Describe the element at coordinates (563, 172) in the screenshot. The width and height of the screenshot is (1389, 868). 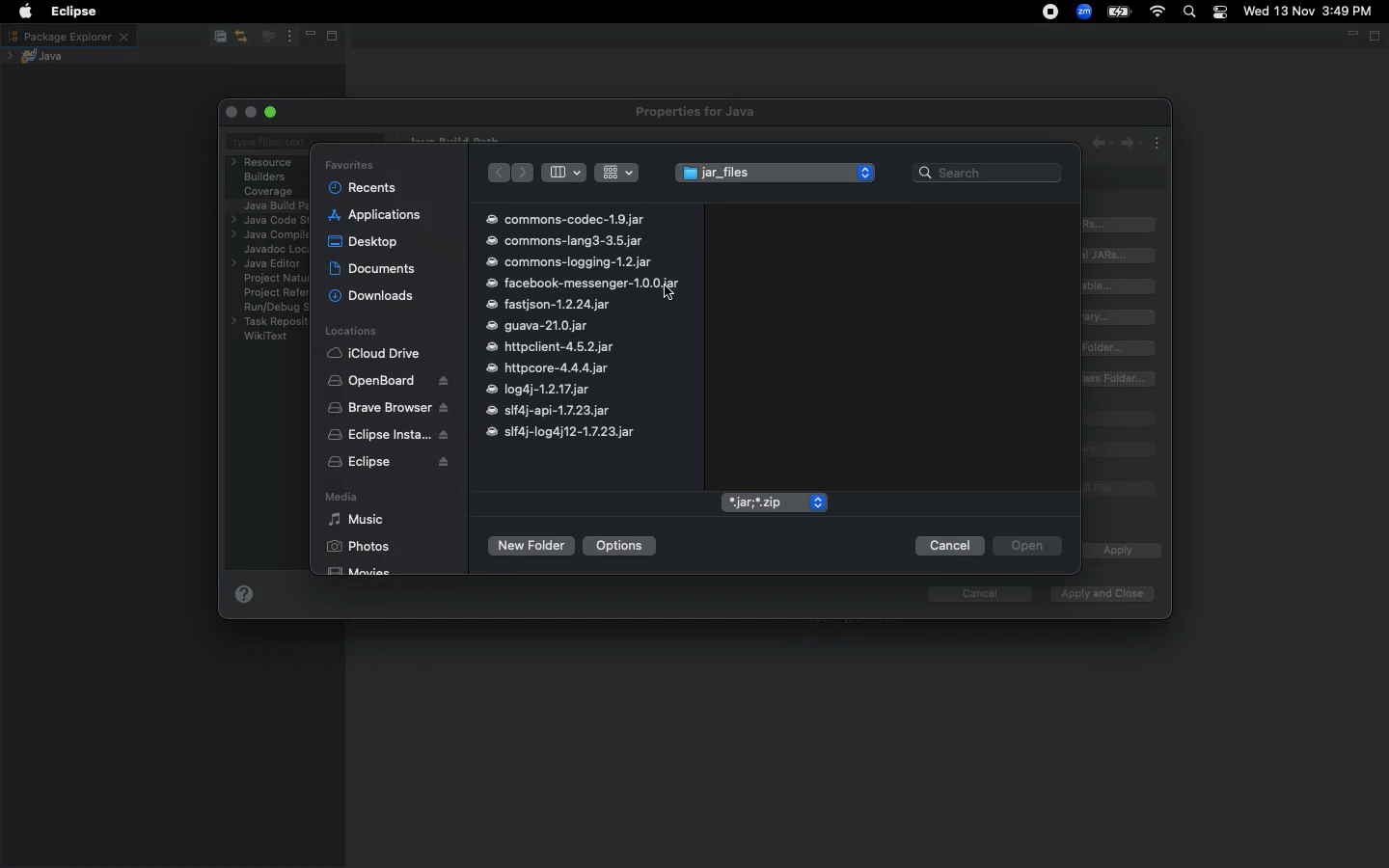
I see `View columns` at that location.